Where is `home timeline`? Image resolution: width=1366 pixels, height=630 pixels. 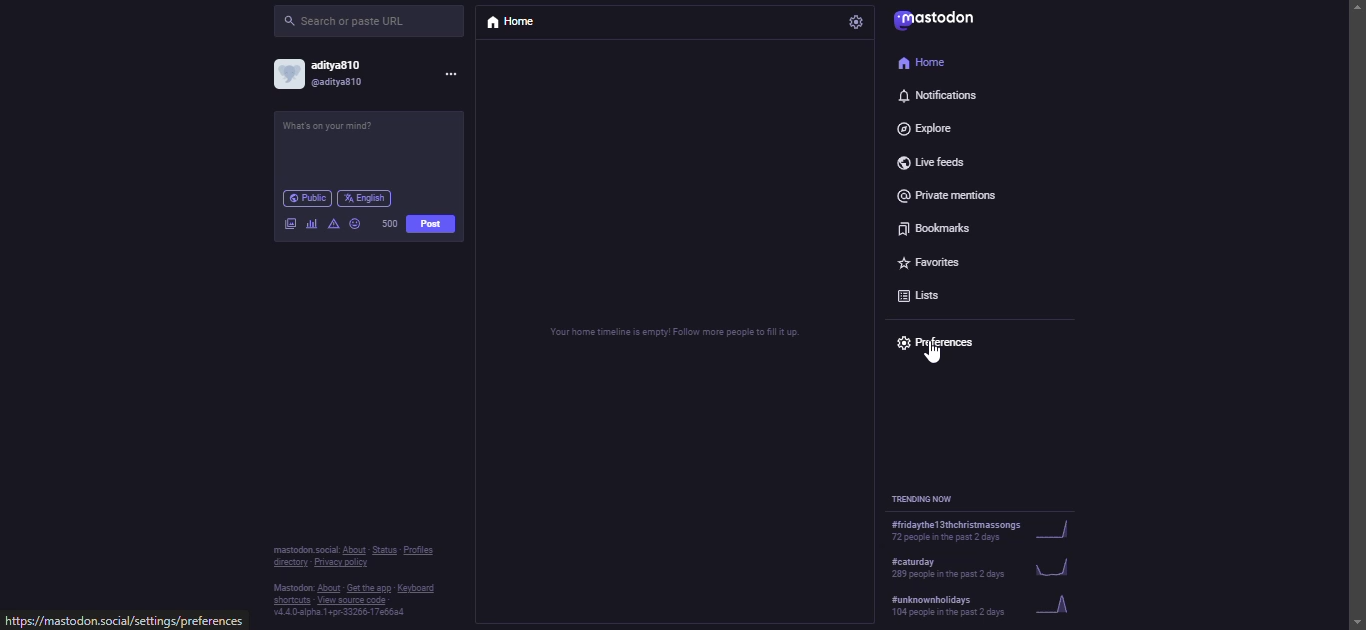
home timeline is located at coordinates (670, 335).